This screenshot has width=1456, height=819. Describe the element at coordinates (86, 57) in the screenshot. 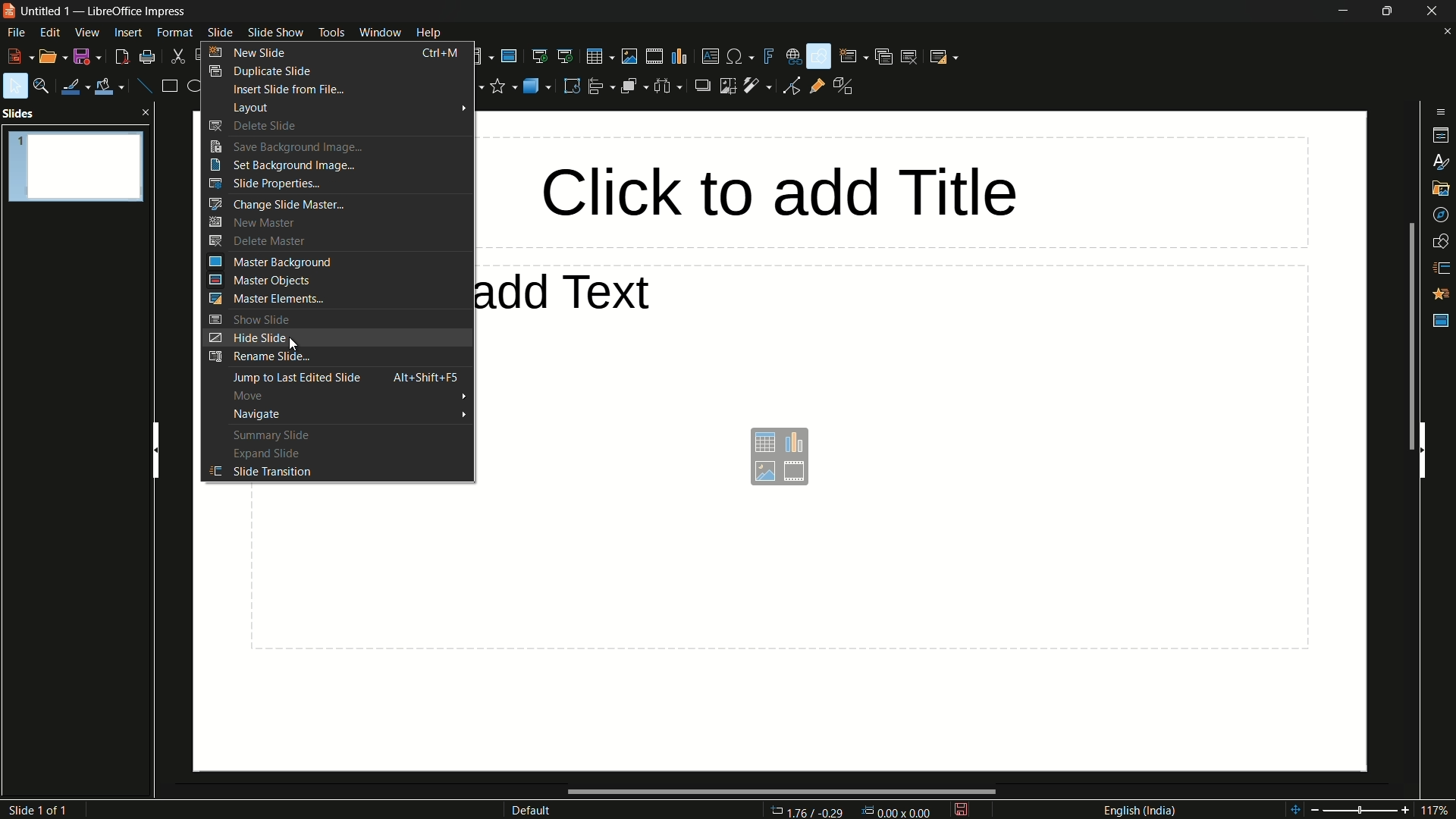

I see `save` at that location.